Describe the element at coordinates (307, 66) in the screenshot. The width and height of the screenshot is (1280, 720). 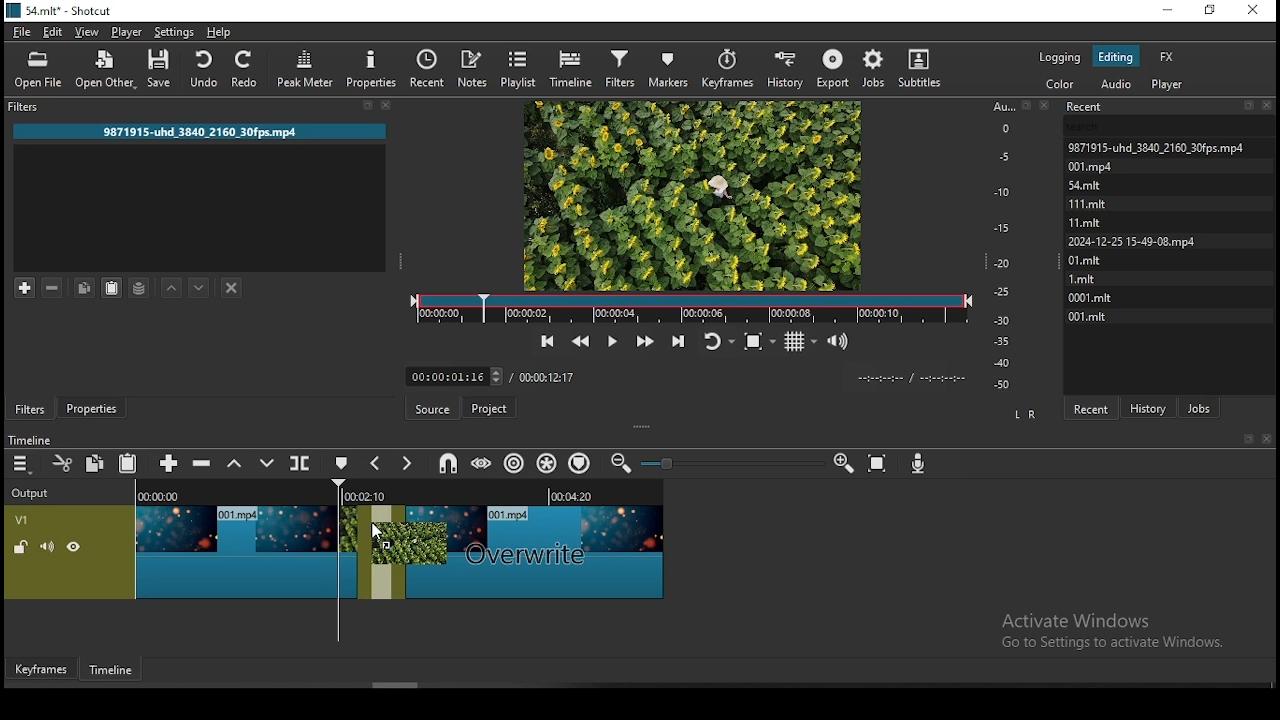
I see `peak meter` at that location.